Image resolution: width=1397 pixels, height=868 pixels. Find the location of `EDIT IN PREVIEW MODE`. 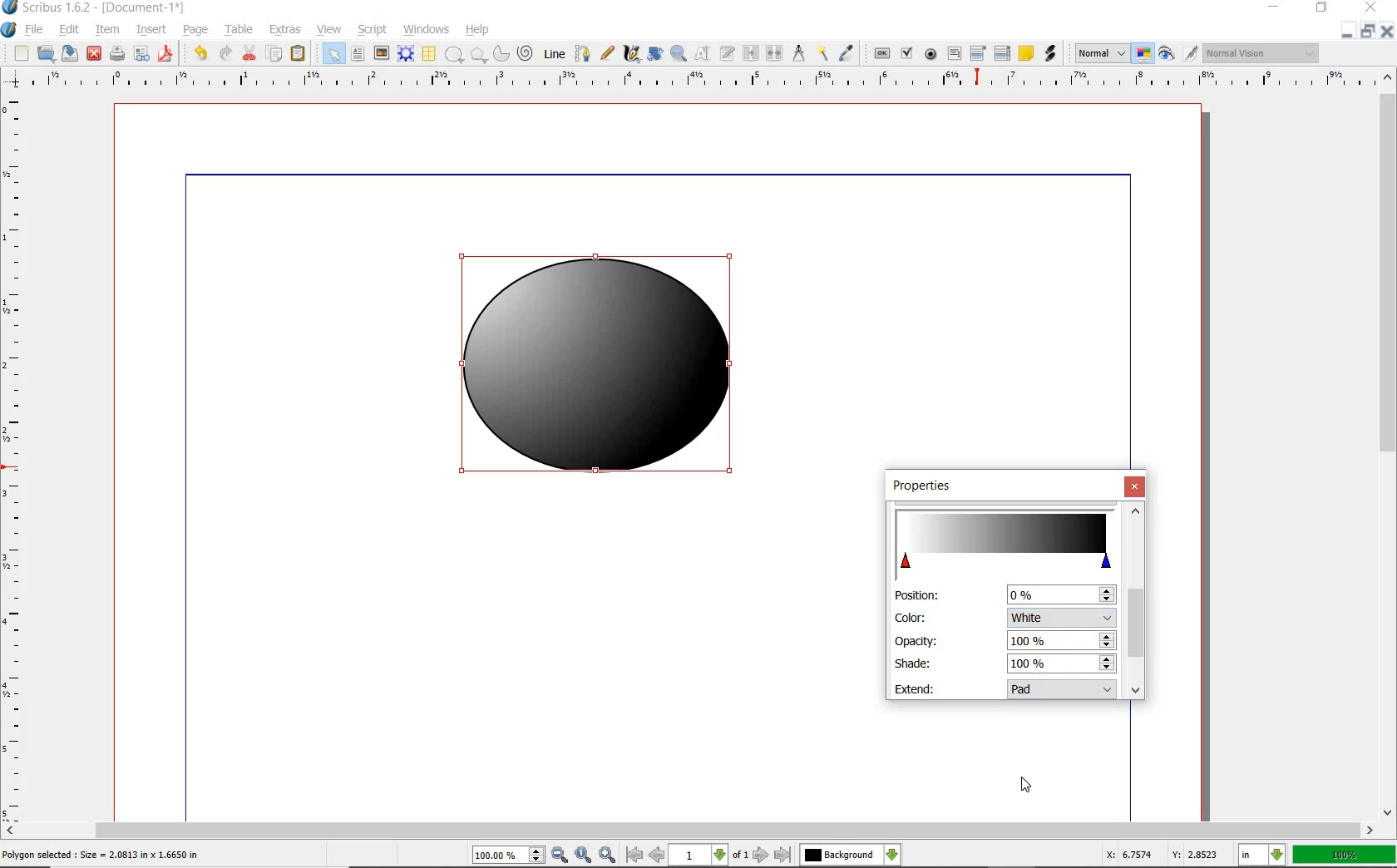

EDIT IN PREVIEW MODE is located at coordinates (1190, 52).